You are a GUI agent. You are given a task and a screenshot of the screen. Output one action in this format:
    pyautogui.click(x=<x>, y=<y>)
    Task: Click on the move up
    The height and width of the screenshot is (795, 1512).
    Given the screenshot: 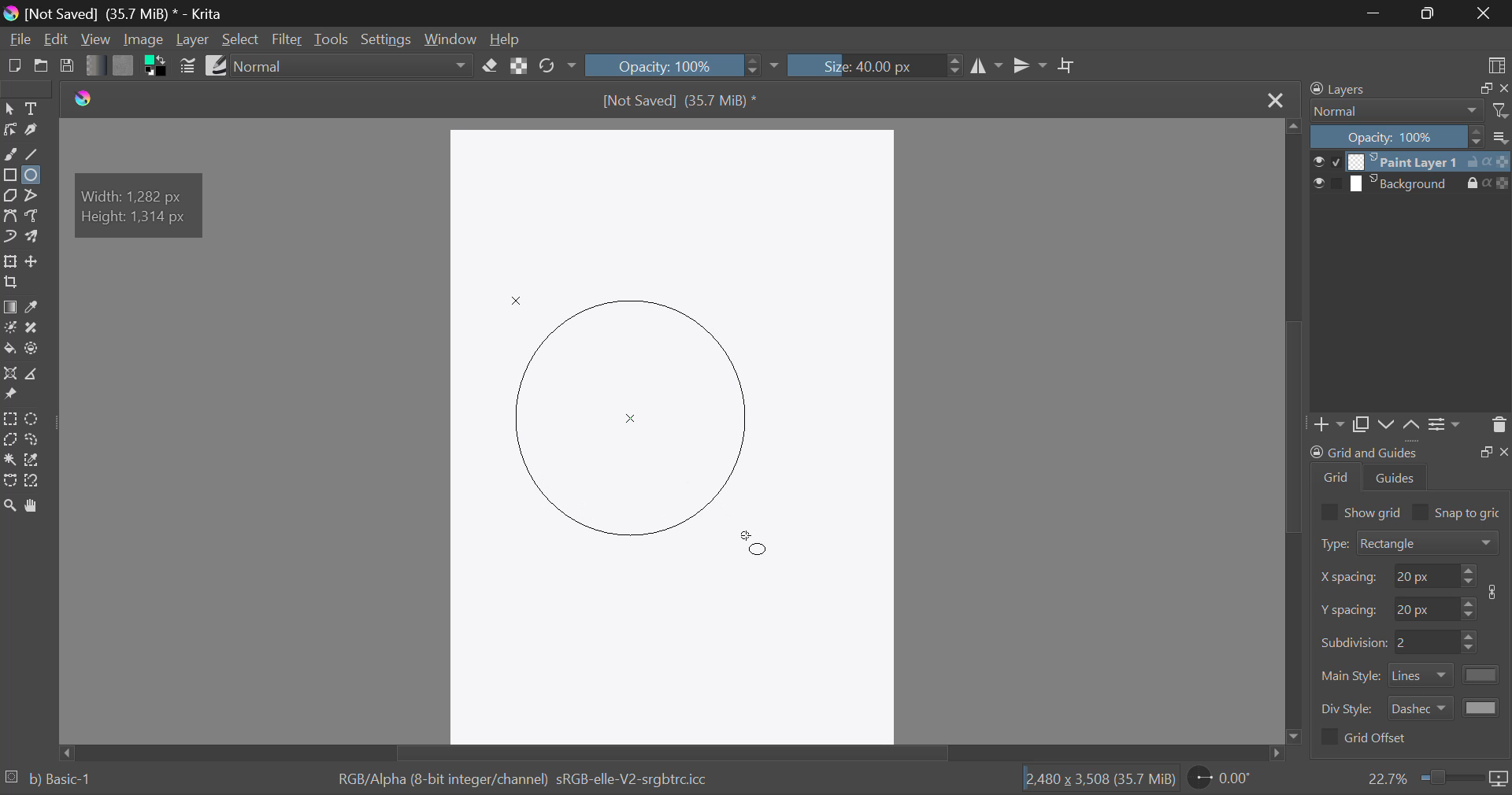 What is the action you would take?
    pyautogui.click(x=1292, y=124)
    